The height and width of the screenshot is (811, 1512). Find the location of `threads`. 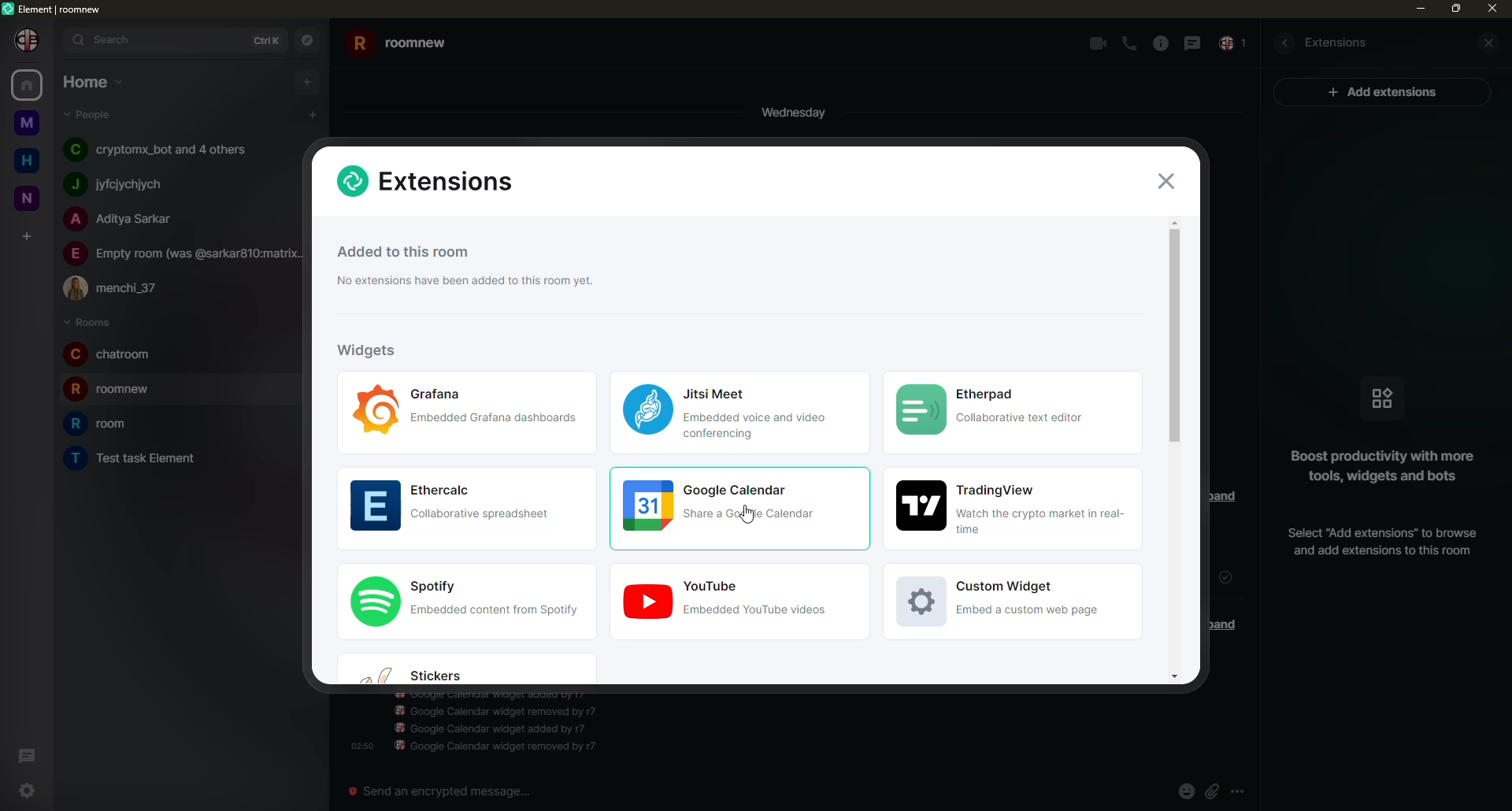

threads is located at coordinates (25, 753).